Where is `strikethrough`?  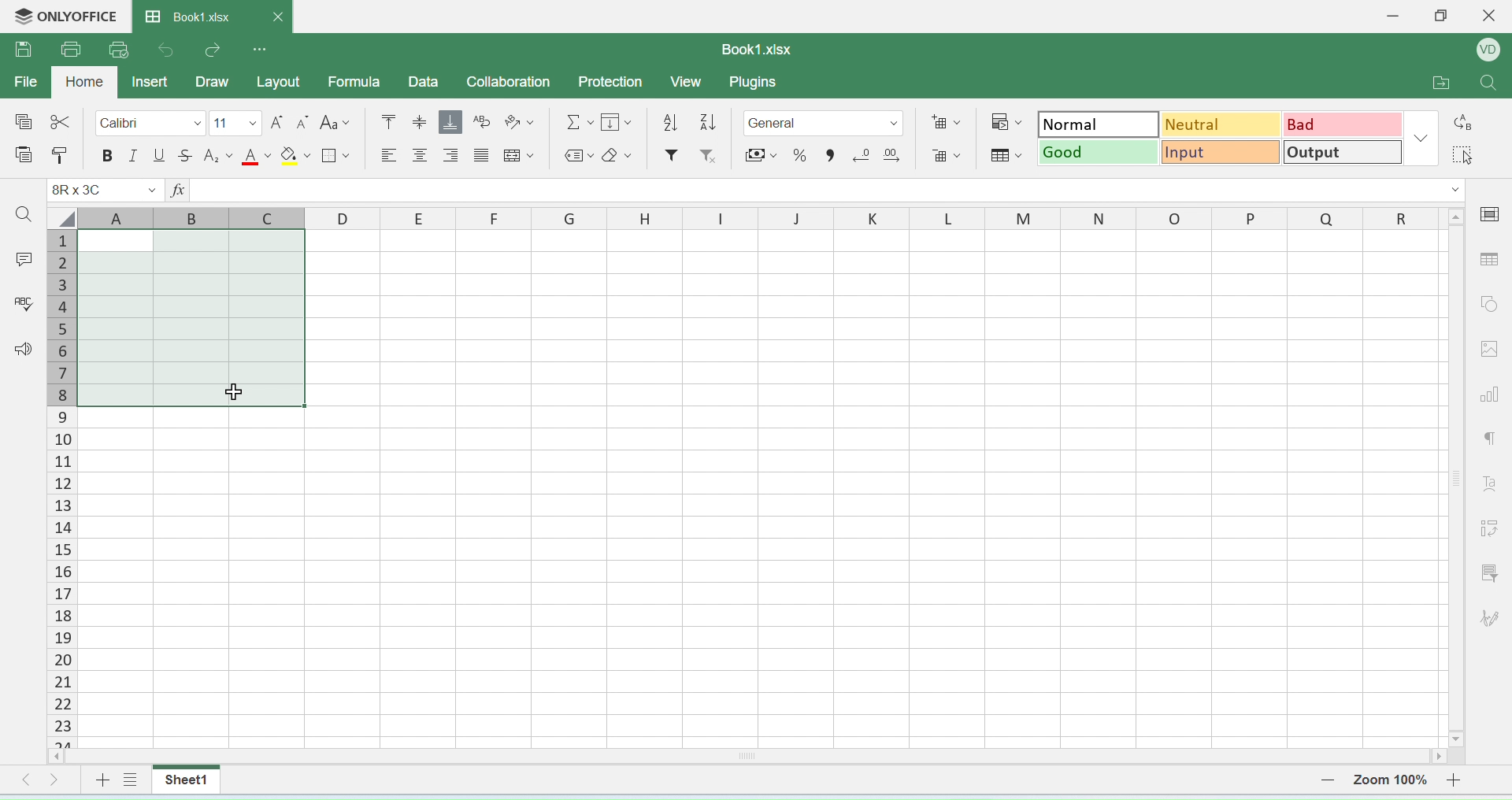
strikethrough is located at coordinates (185, 154).